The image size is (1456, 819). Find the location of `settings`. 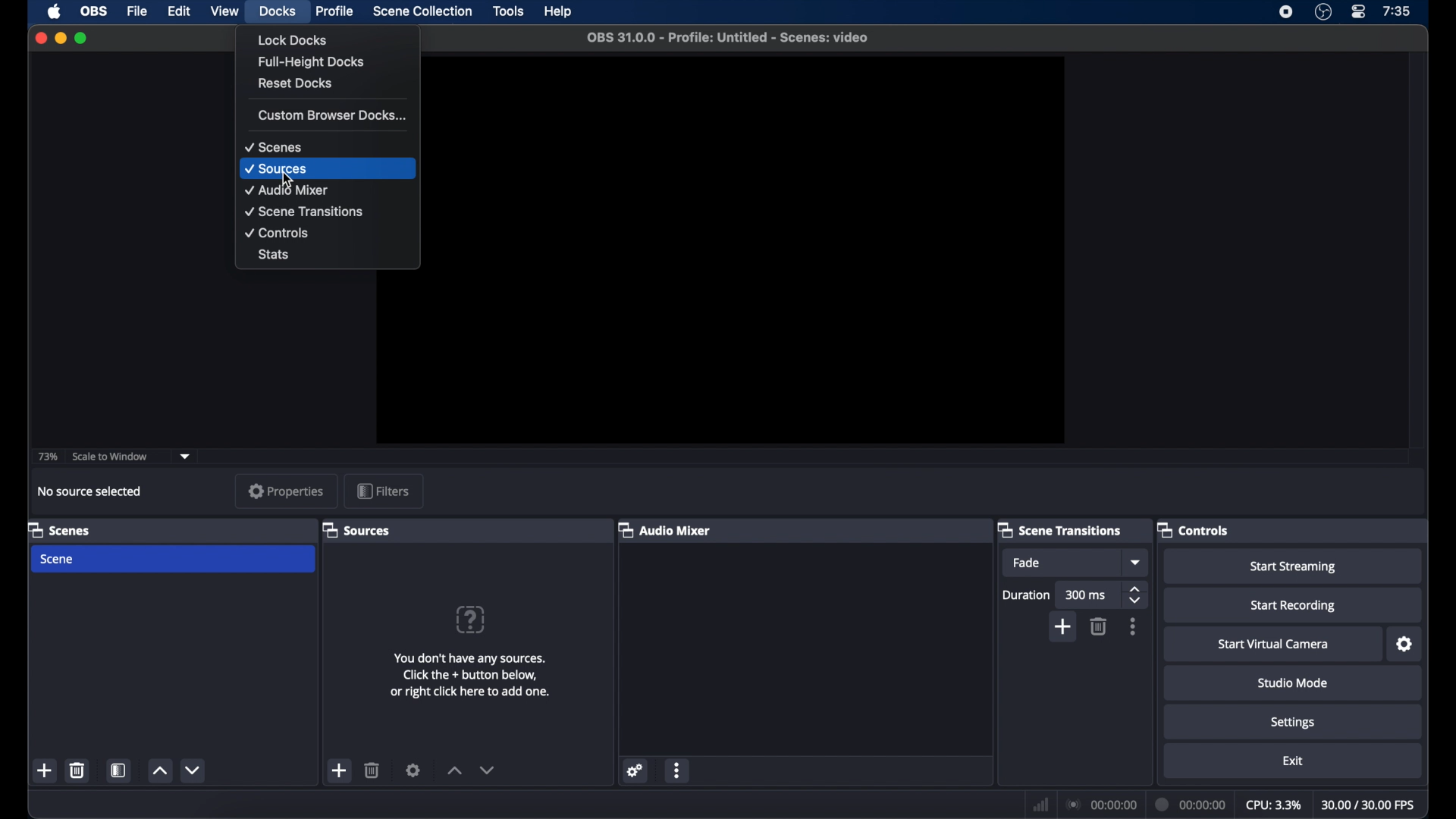

settings is located at coordinates (637, 772).